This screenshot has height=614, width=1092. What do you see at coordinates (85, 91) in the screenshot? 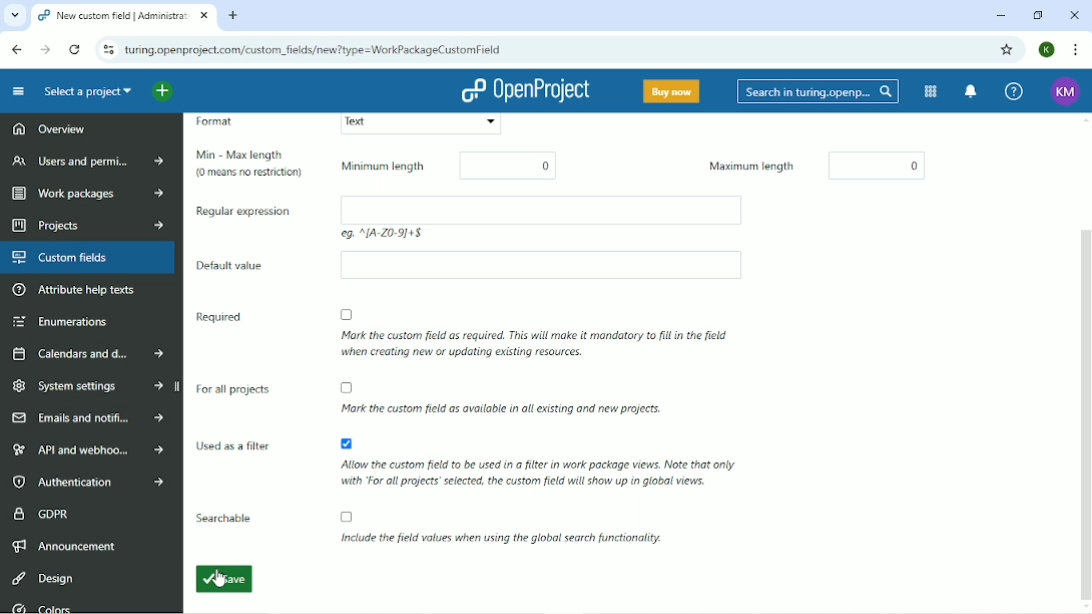
I see `Select a project` at bounding box center [85, 91].